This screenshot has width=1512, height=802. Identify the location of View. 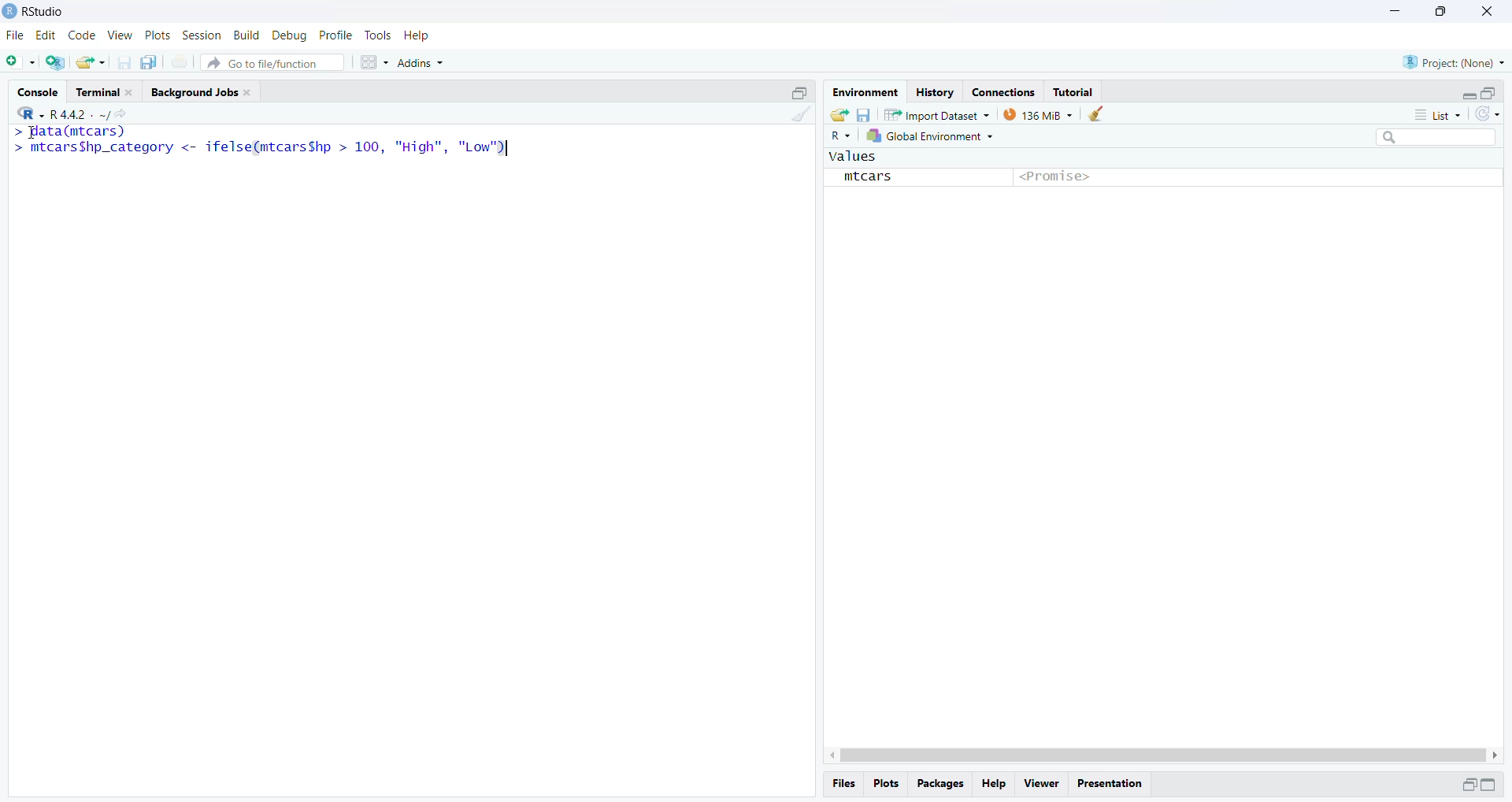
(119, 35).